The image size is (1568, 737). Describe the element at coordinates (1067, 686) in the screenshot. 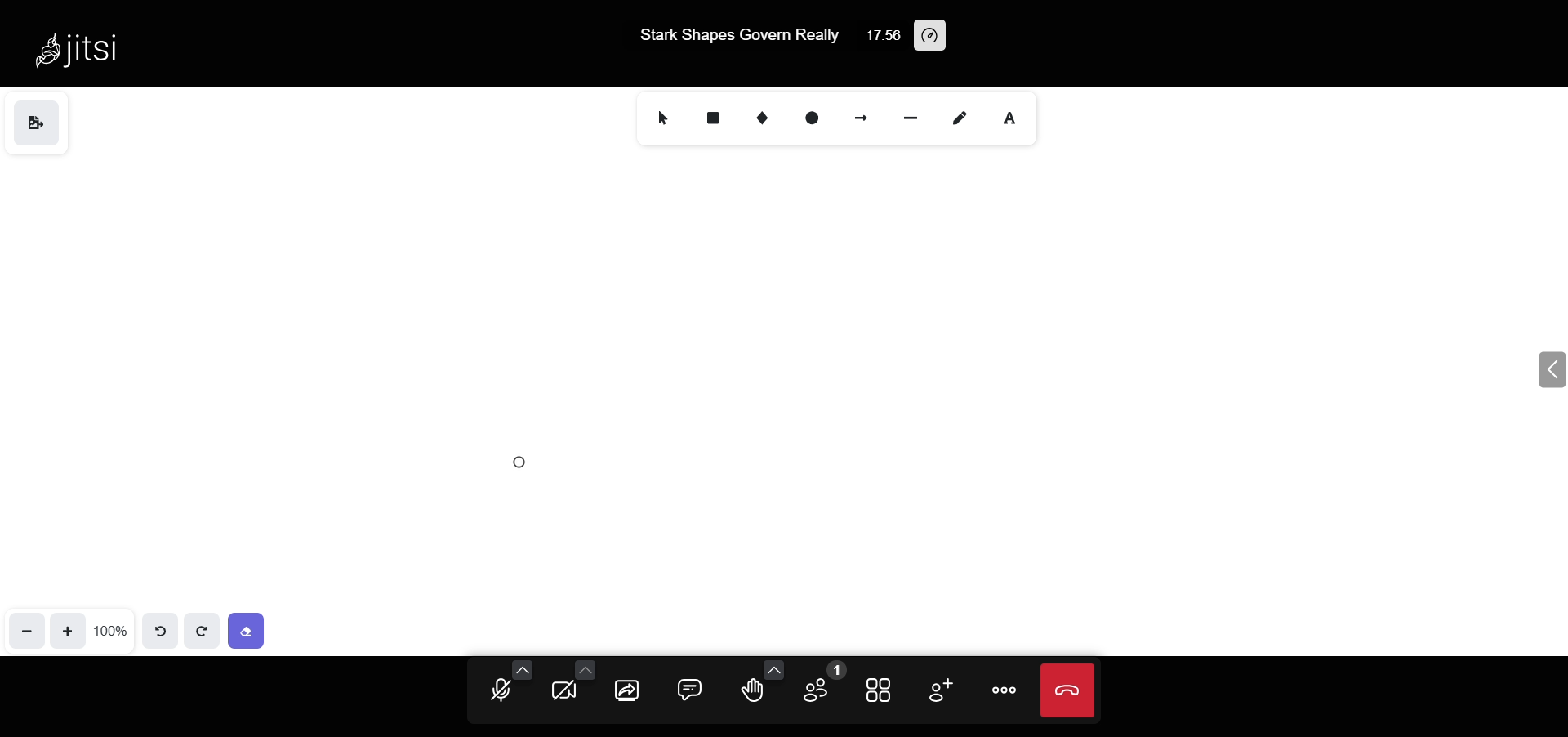

I see `leave call` at that location.